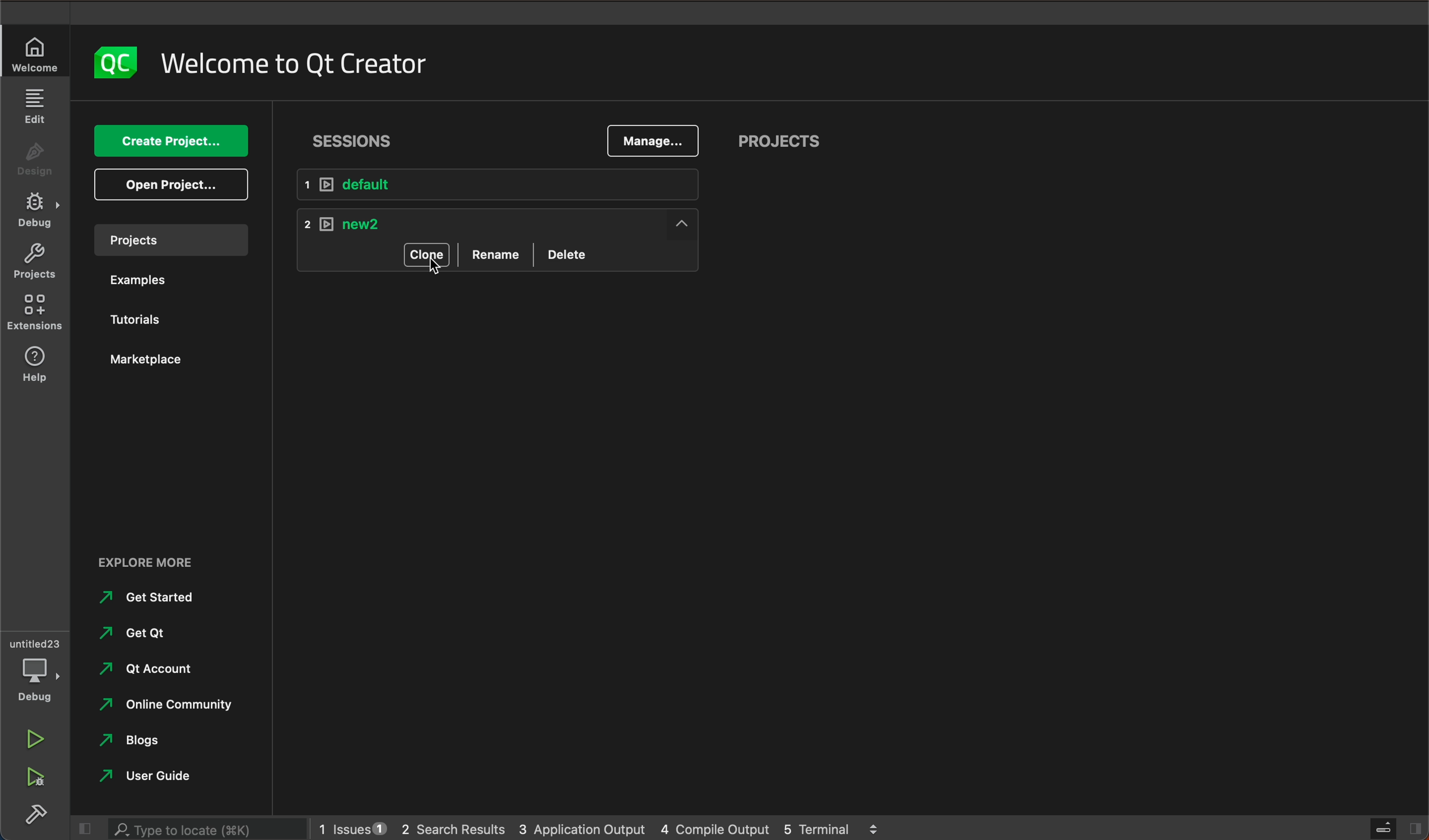 The image size is (1429, 840). I want to click on get qt, so click(151, 634).